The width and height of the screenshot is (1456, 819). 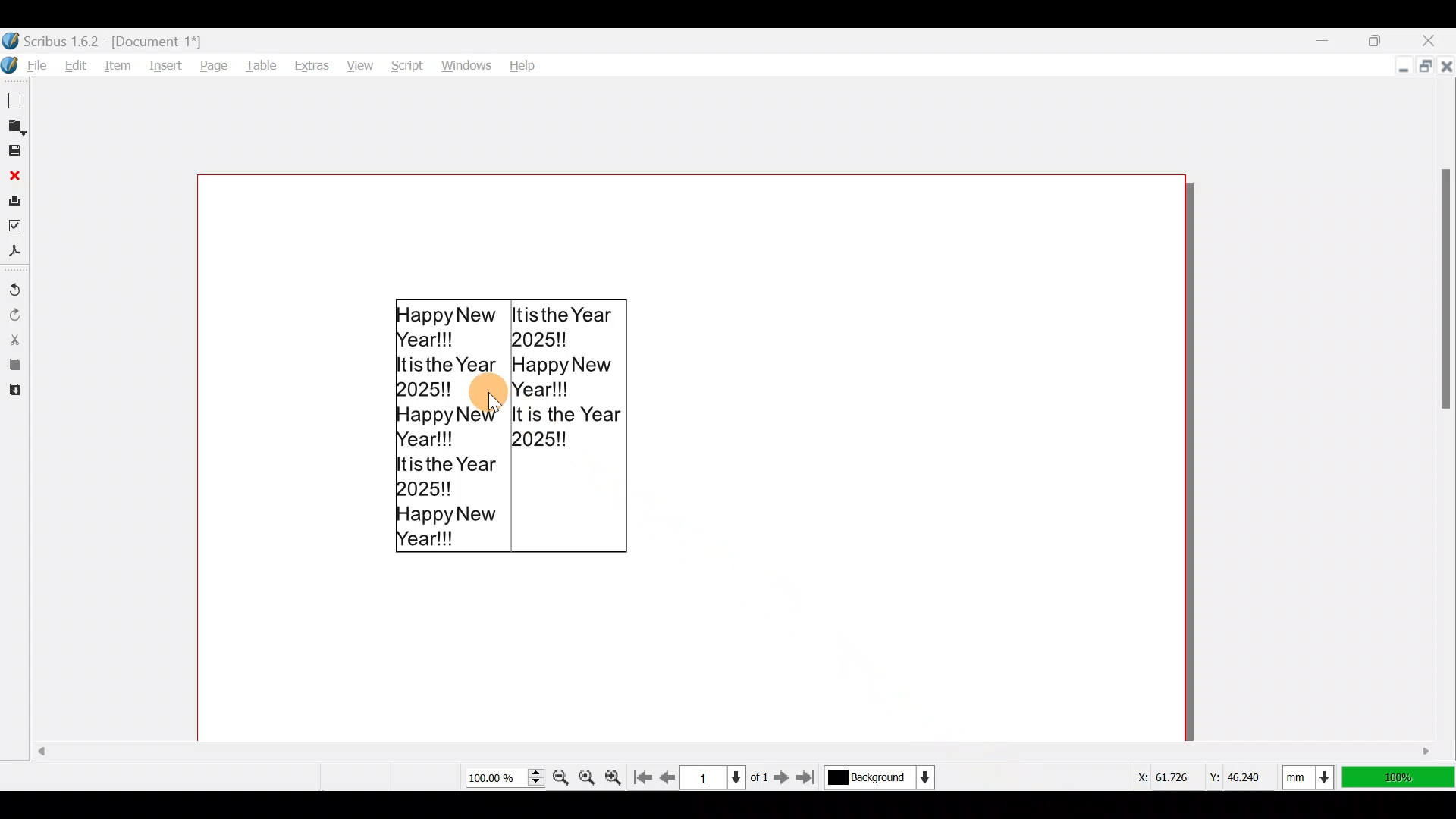 What do you see at coordinates (493, 403) in the screenshot?
I see `Cursor on text frame` at bounding box center [493, 403].